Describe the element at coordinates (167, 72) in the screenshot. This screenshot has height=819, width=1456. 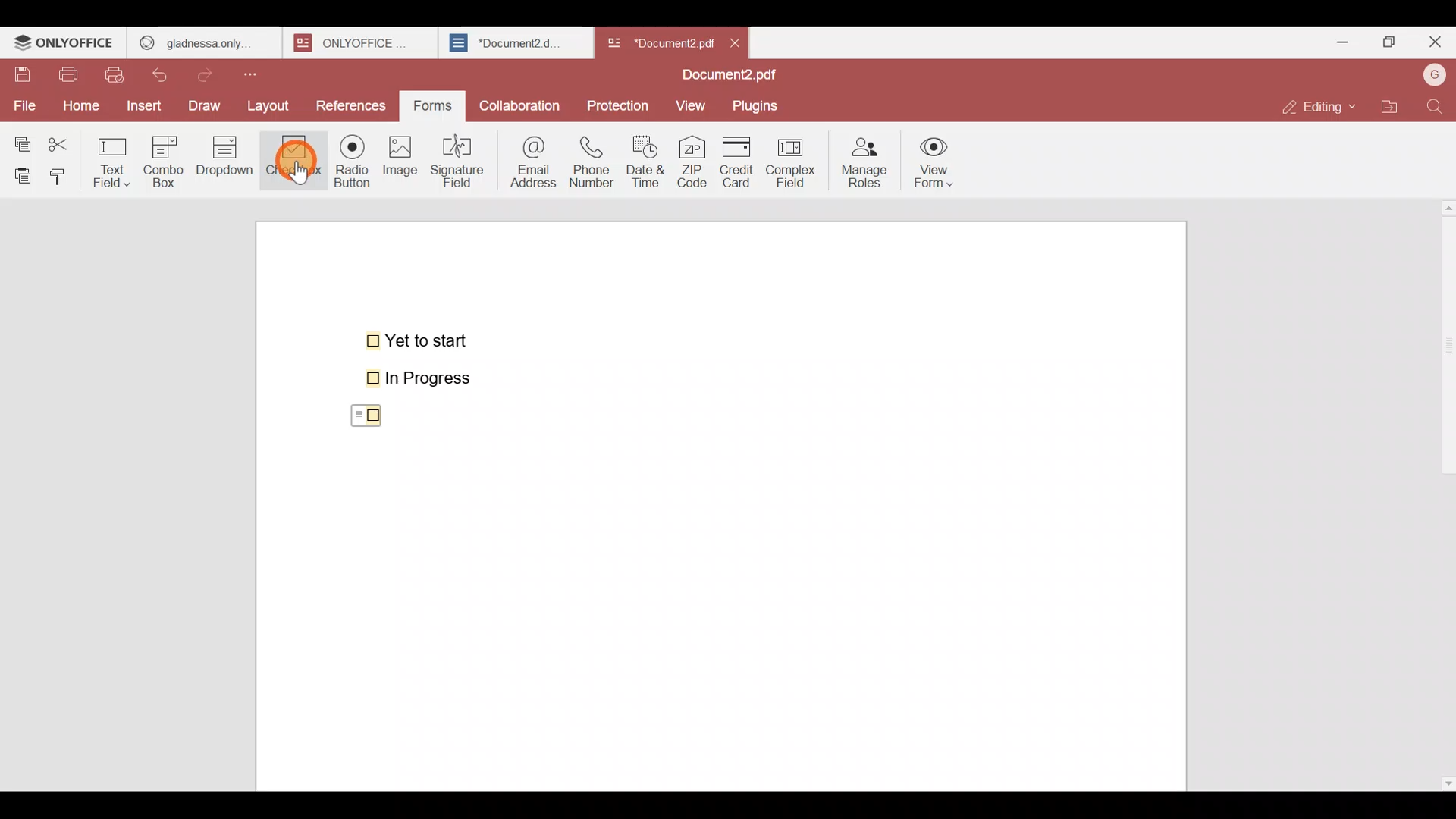
I see `Undo` at that location.